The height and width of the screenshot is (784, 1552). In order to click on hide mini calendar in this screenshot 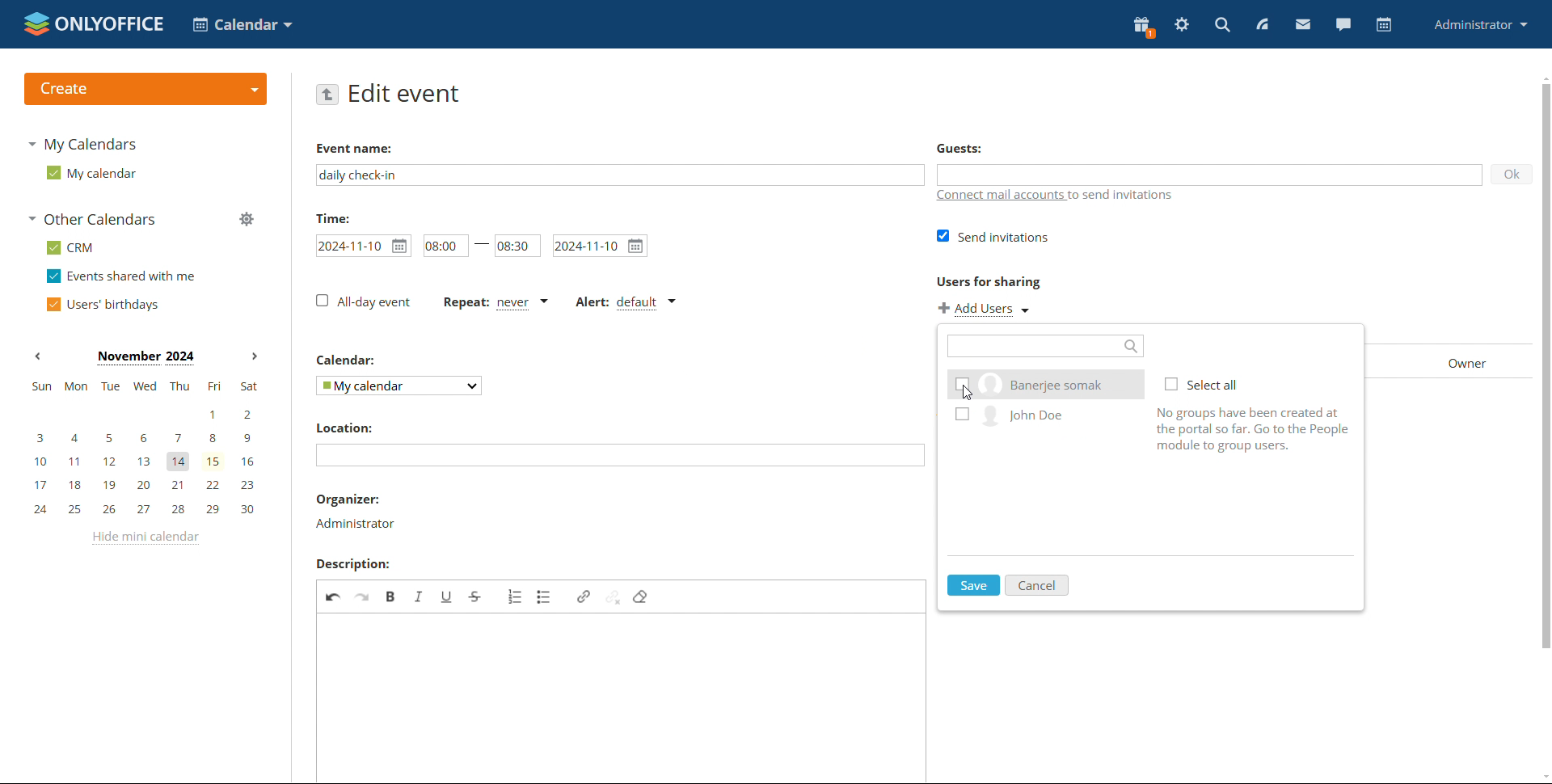, I will do `click(143, 538)`.